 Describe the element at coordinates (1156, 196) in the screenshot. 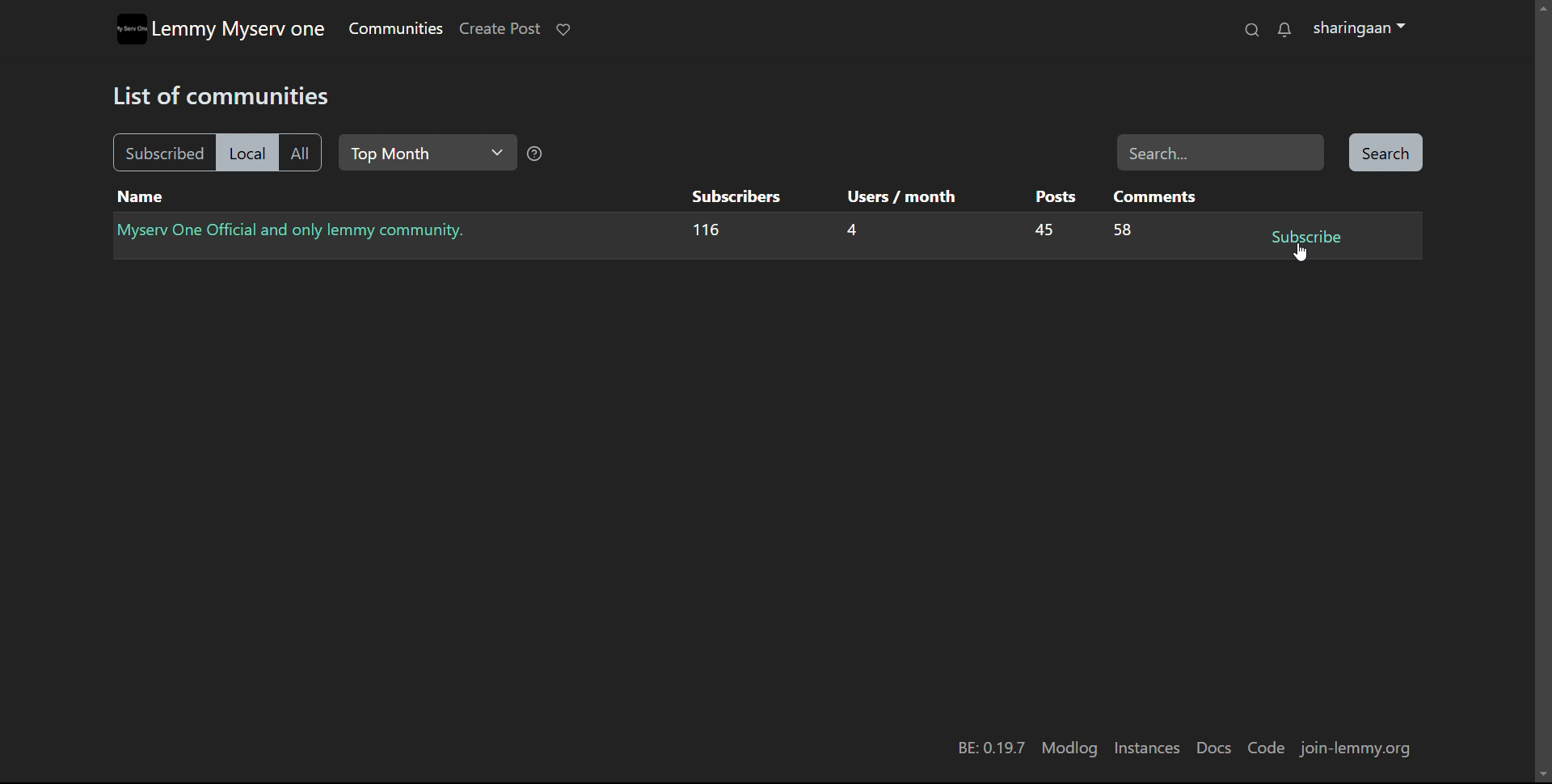

I see `comments` at that location.